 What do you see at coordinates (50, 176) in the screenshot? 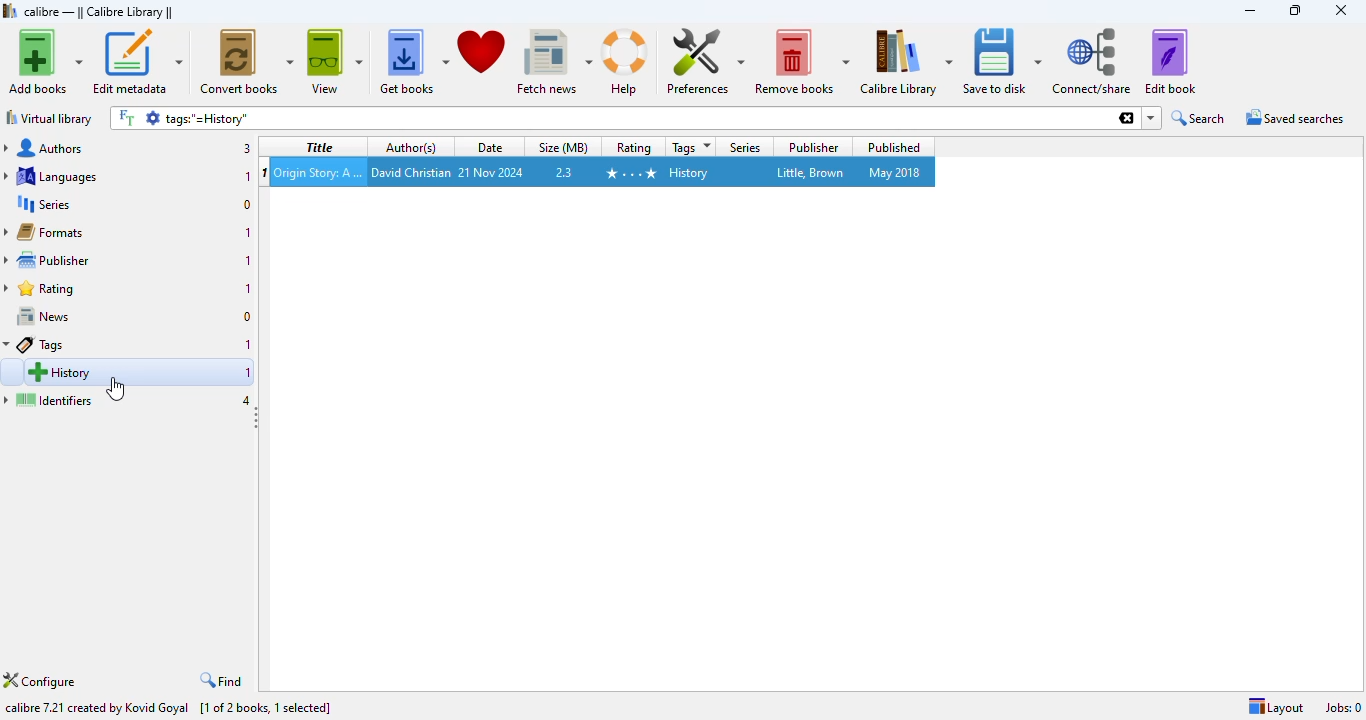
I see `languages` at bounding box center [50, 176].